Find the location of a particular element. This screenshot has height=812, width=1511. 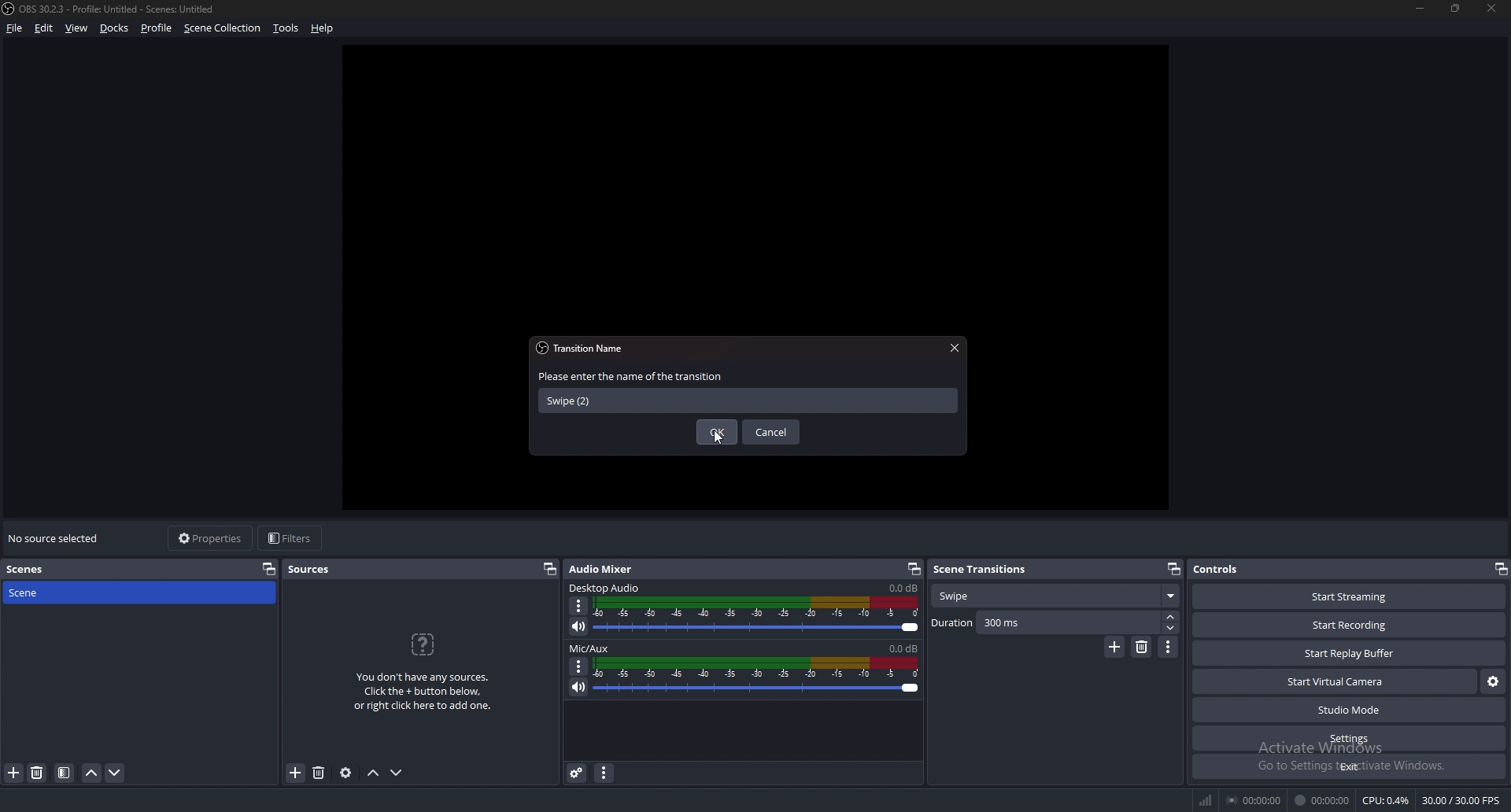

transition name is located at coordinates (582, 348).